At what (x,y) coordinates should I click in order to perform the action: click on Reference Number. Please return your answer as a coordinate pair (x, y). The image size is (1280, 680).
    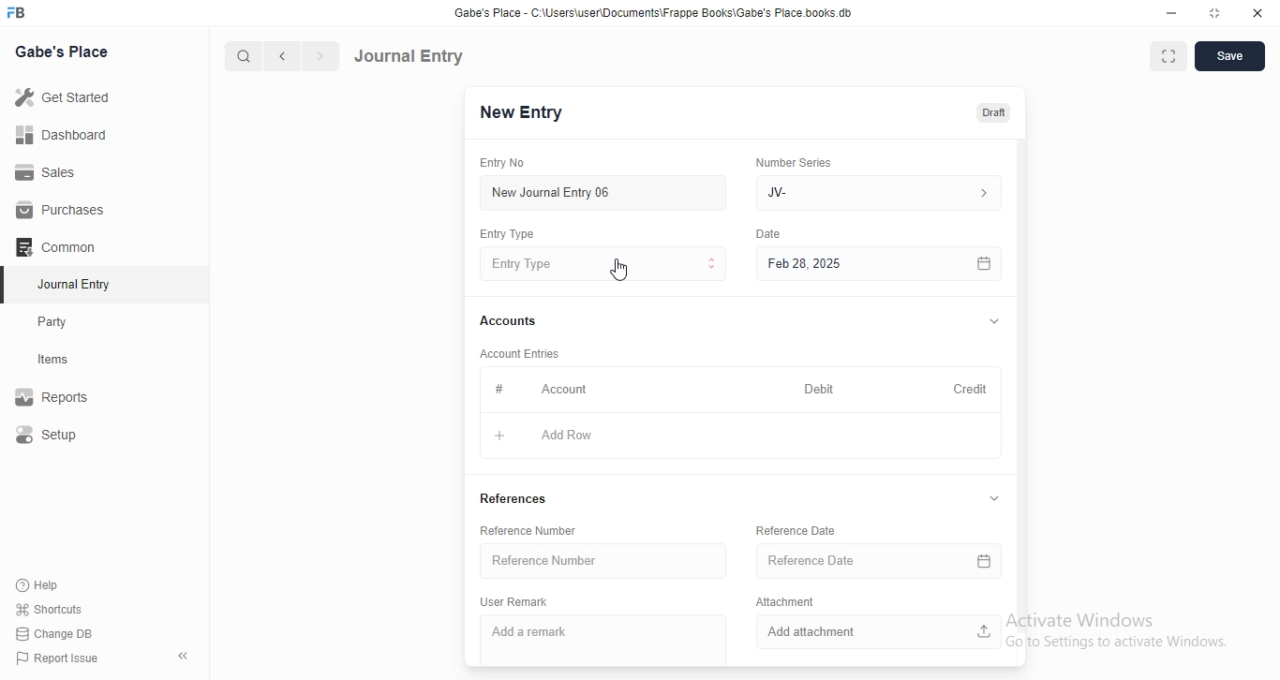
    Looking at the image, I should click on (602, 560).